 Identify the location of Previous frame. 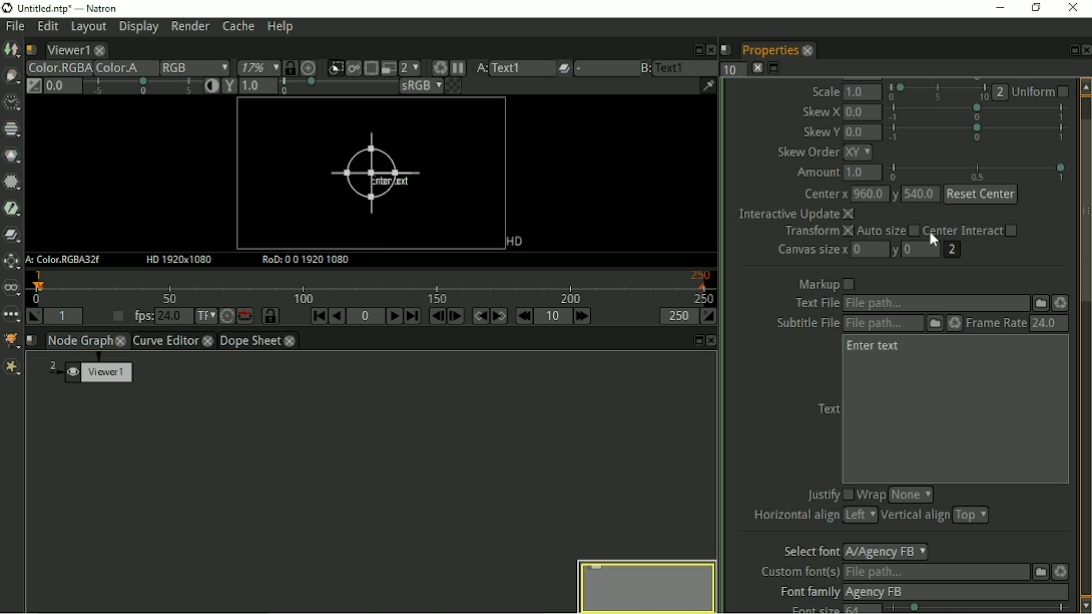
(435, 316).